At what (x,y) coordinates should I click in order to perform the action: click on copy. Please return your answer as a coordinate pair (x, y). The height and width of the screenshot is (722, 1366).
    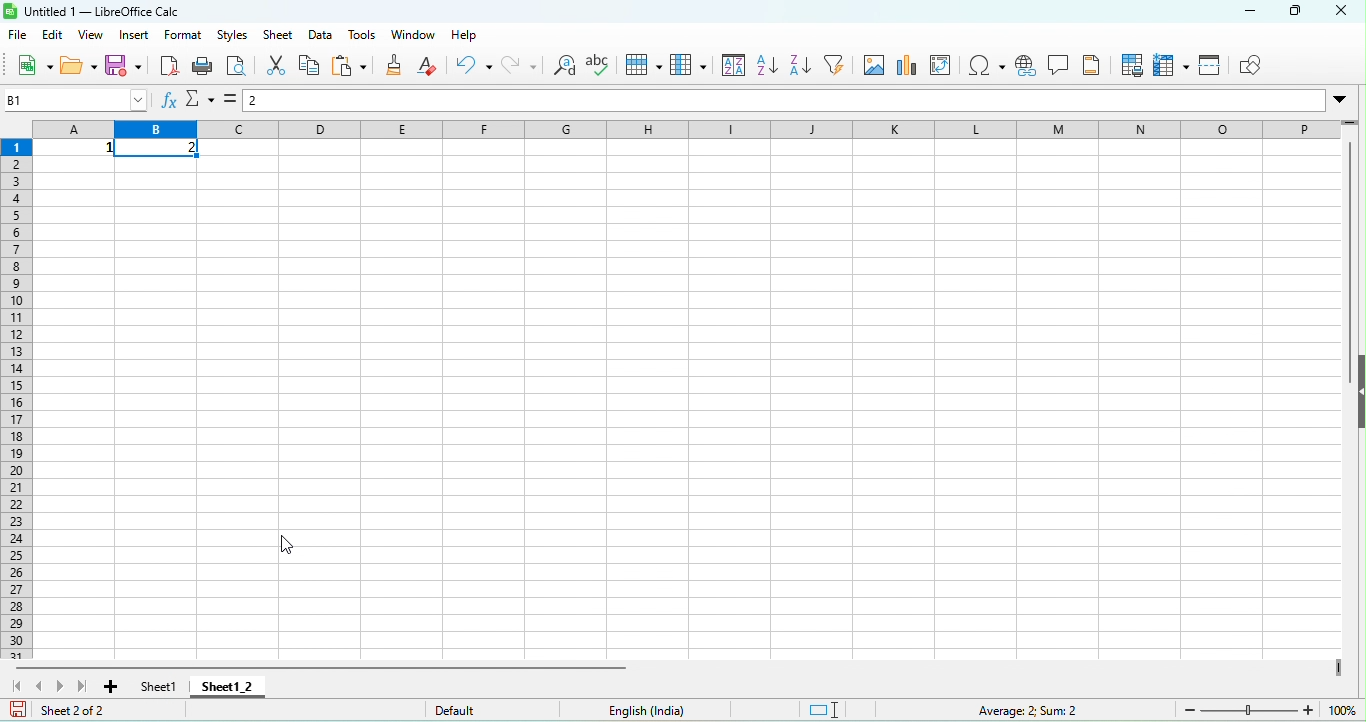
    Looking at the image, I should click on (308, 66).